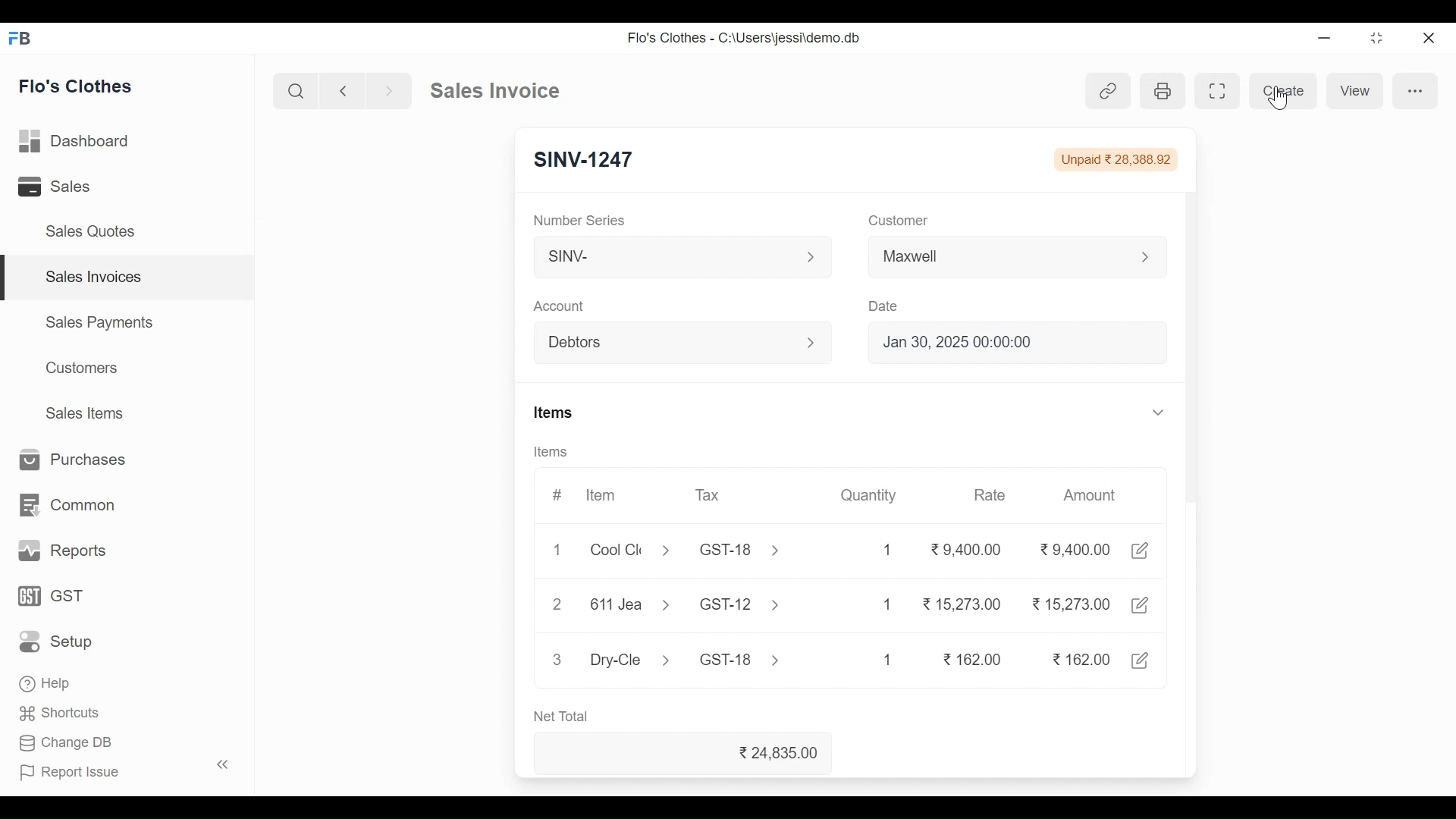 The width and height of the screenshot is (1456, 819). What do you see at coordinates (64, 506) in the screenshot?
I see `Common` at bounding box center [64, 506].